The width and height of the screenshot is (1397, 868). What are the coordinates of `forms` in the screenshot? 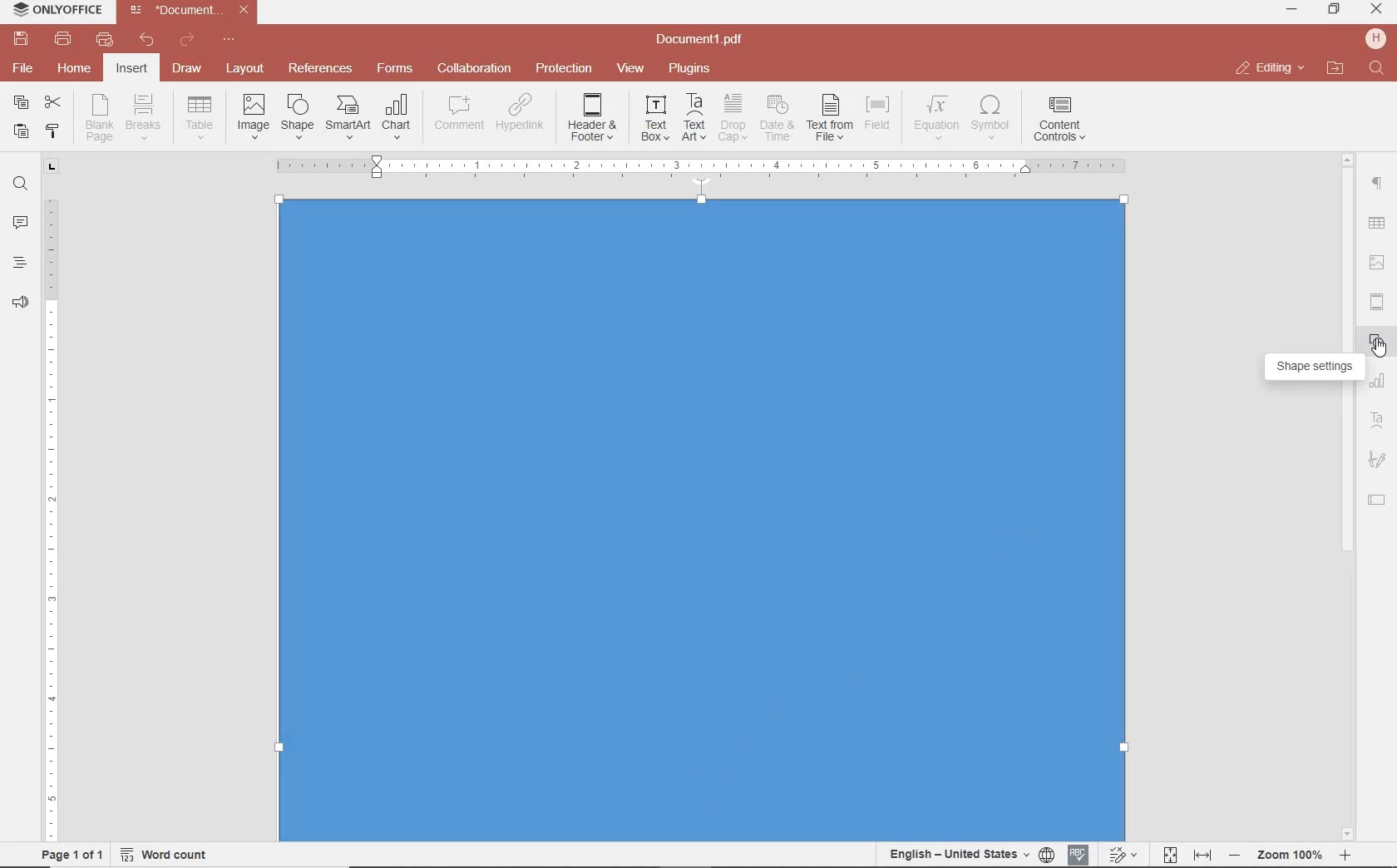 It's located at (395, 68).